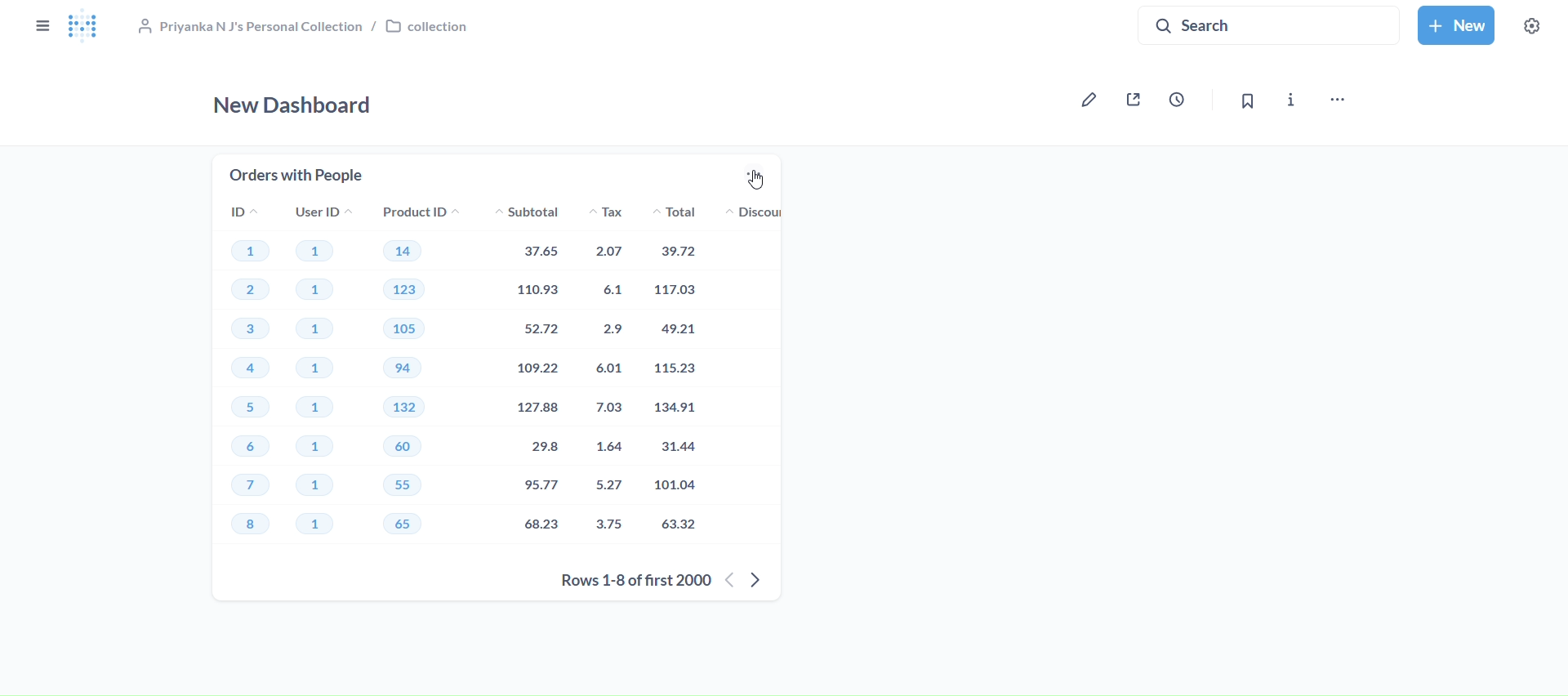 The width and height of the screenshot is (1568, 696). I want to click on settings, so click(1534, 27).